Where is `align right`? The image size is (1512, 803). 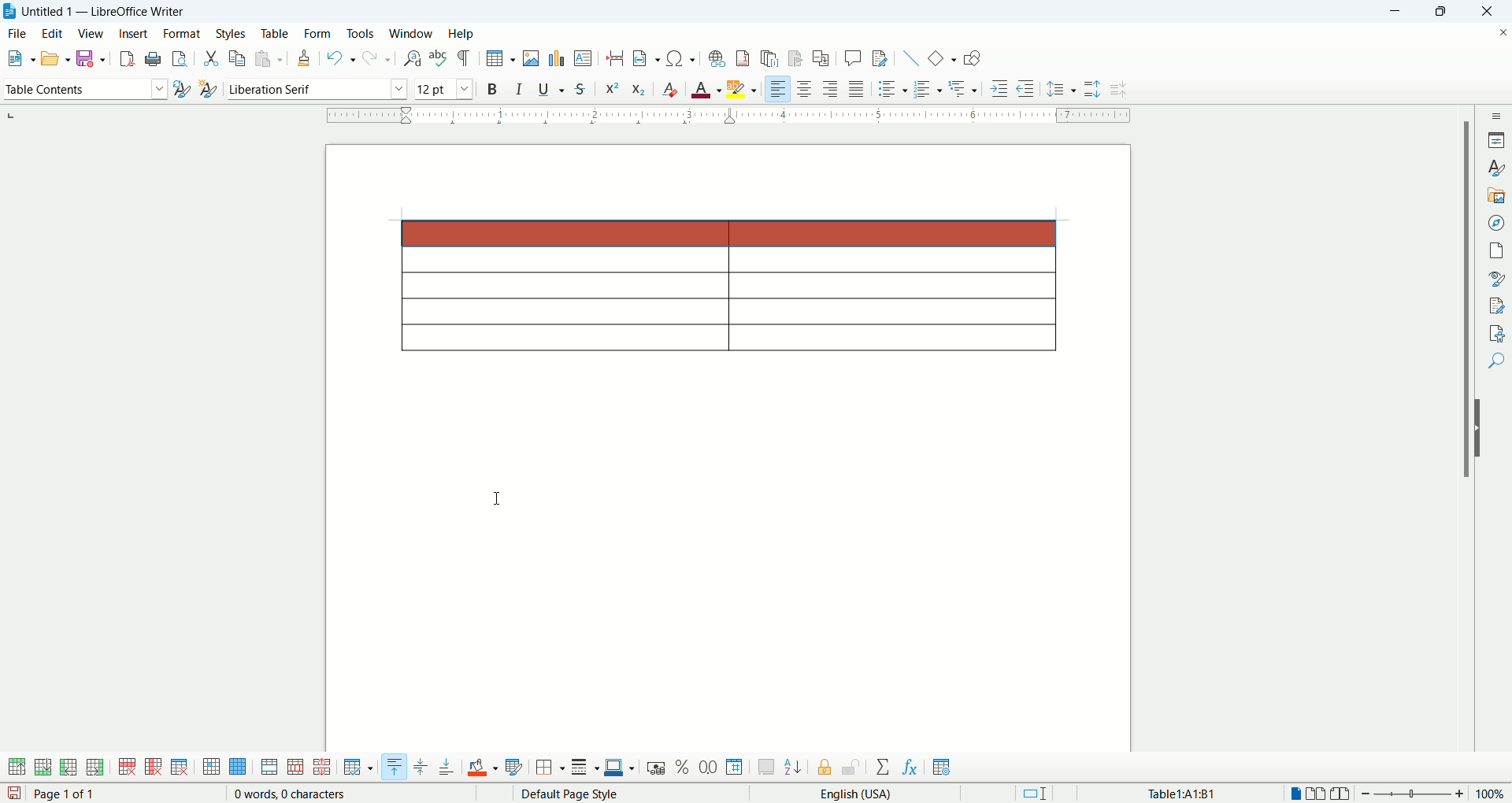 align right is located at coordinates (777, 87).